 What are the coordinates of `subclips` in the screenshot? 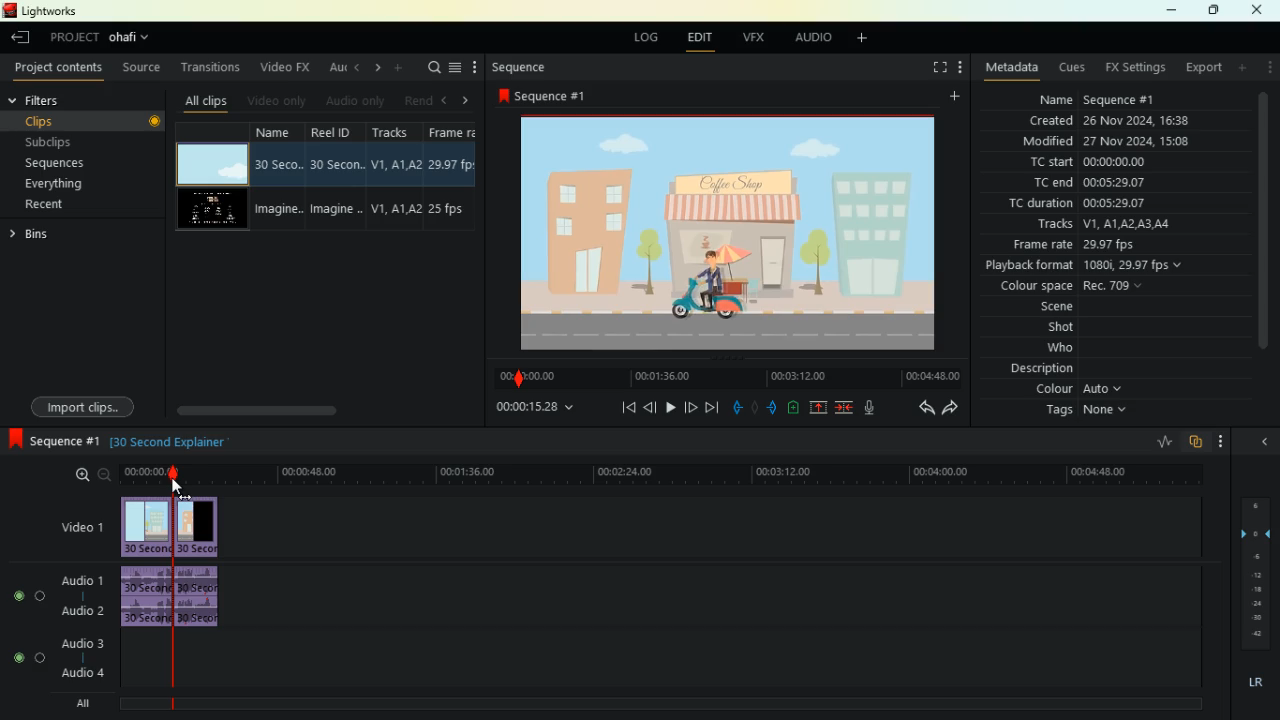 It's located at (75, 142).